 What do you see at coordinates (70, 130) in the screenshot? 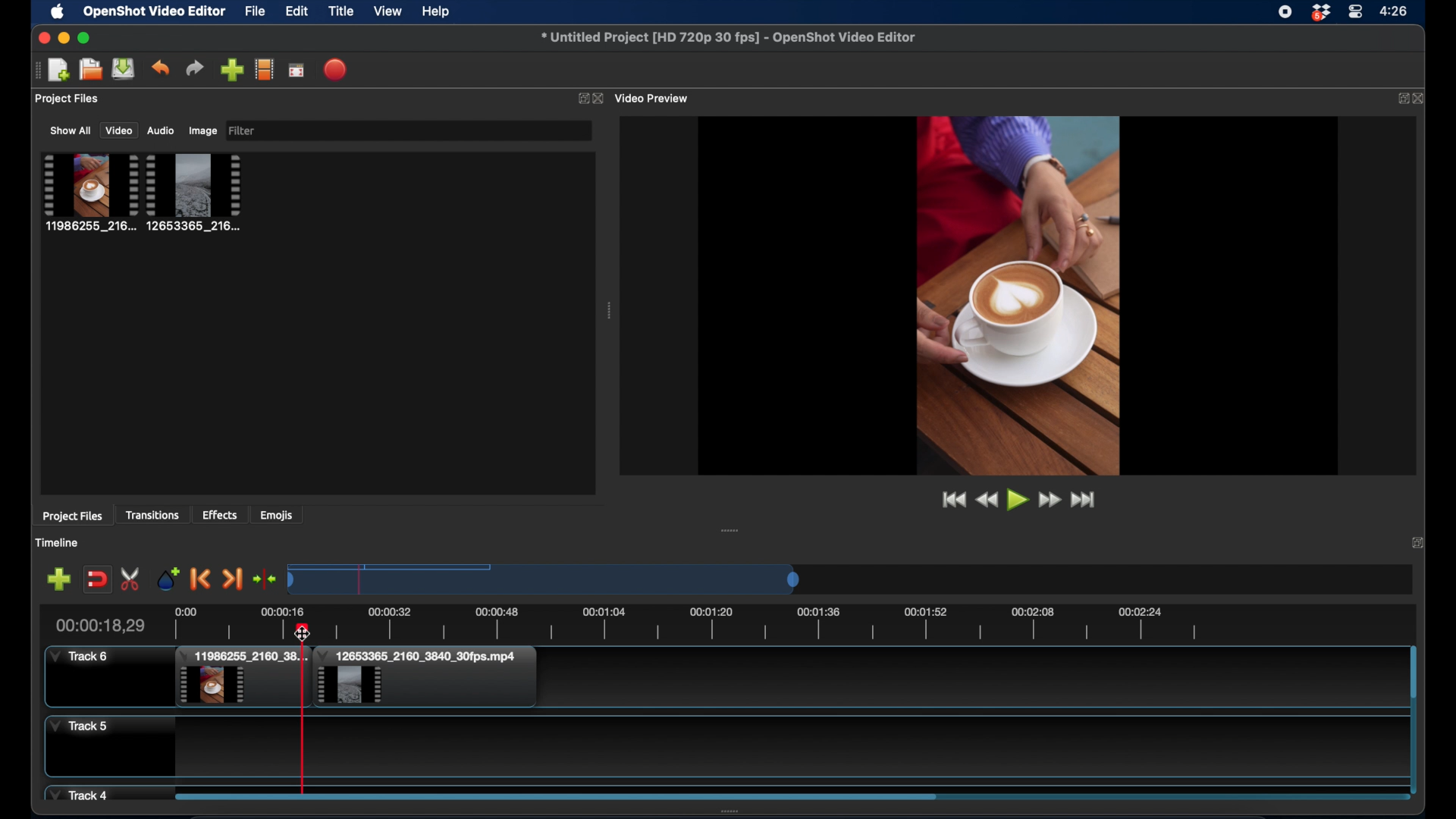
I see `show all` at bounding box center [70, 130].